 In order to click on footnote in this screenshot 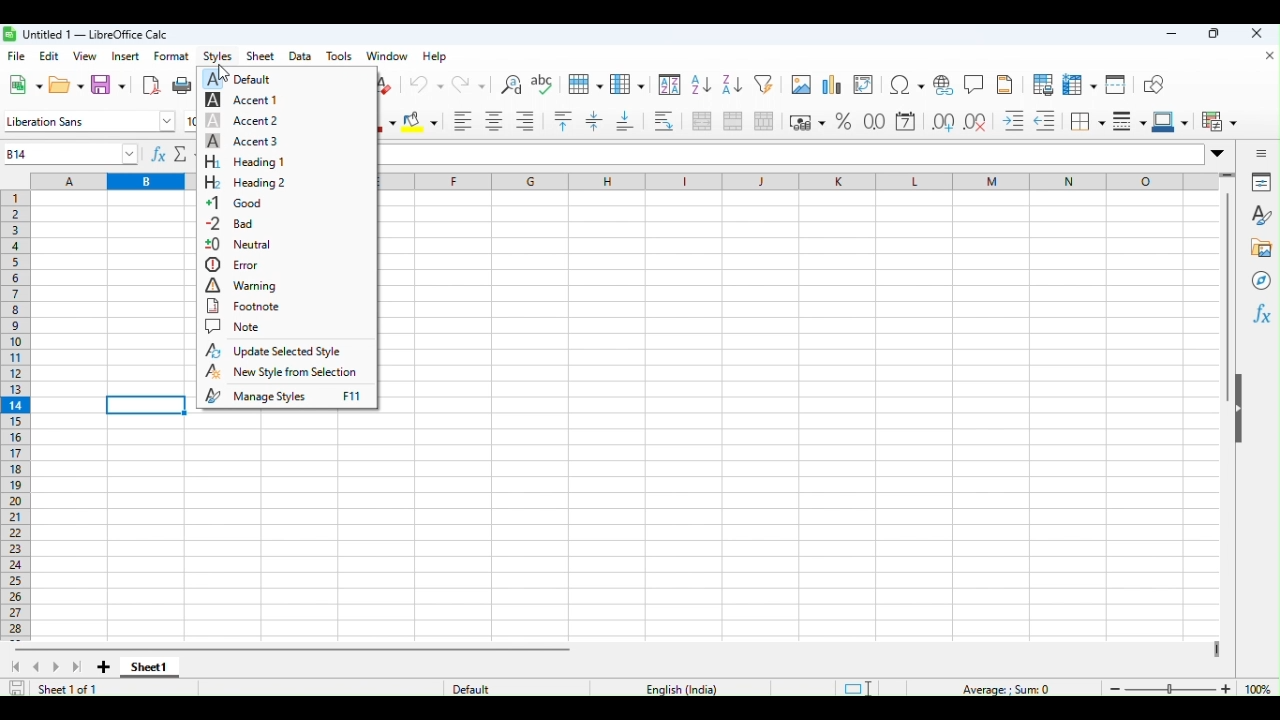, I will do `click(244, 306)`.